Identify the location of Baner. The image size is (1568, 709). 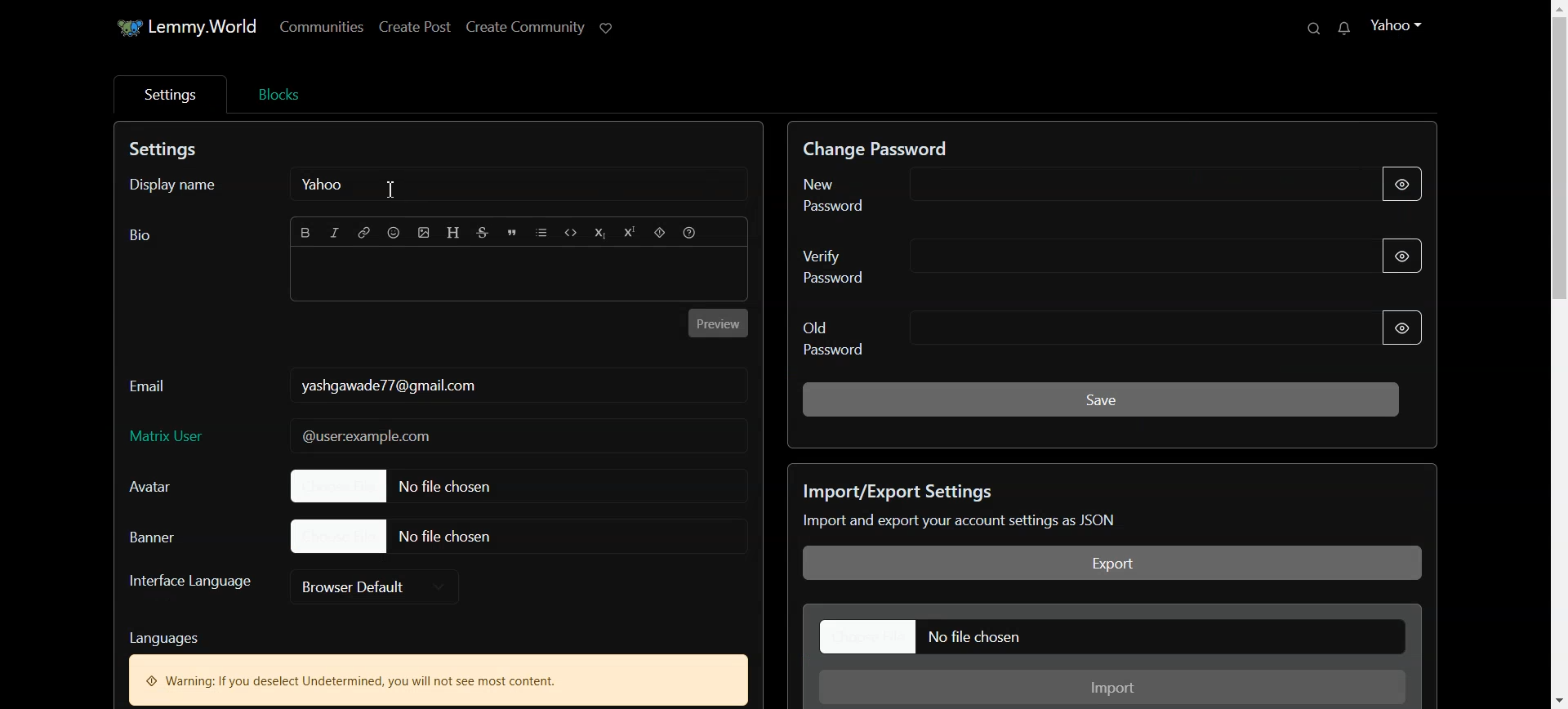
(171, 536).